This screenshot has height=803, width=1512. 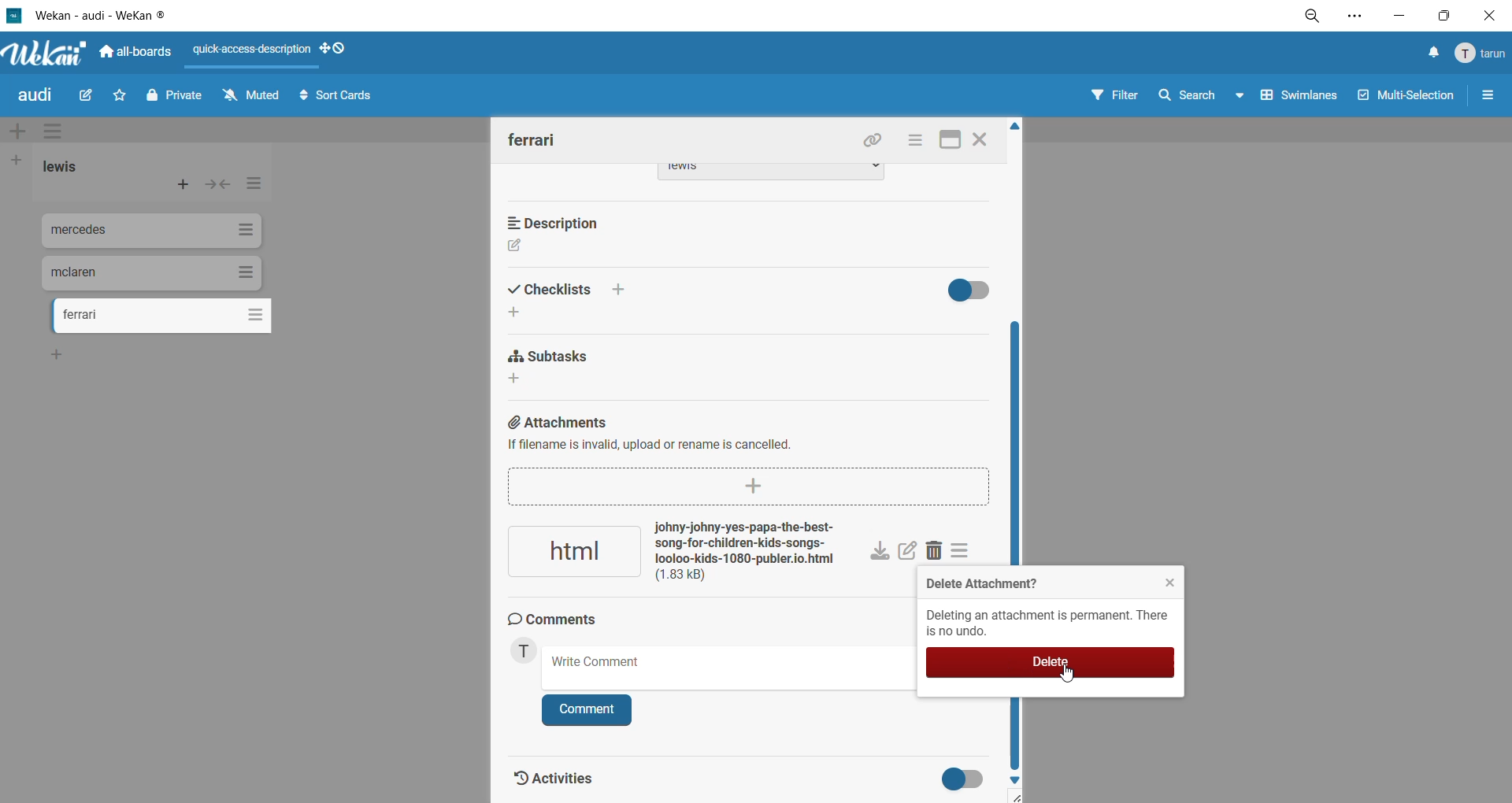 What do you see at coordinates (588, 709) in the screenshot?
I see `comment` at bounding box center [588, 709].